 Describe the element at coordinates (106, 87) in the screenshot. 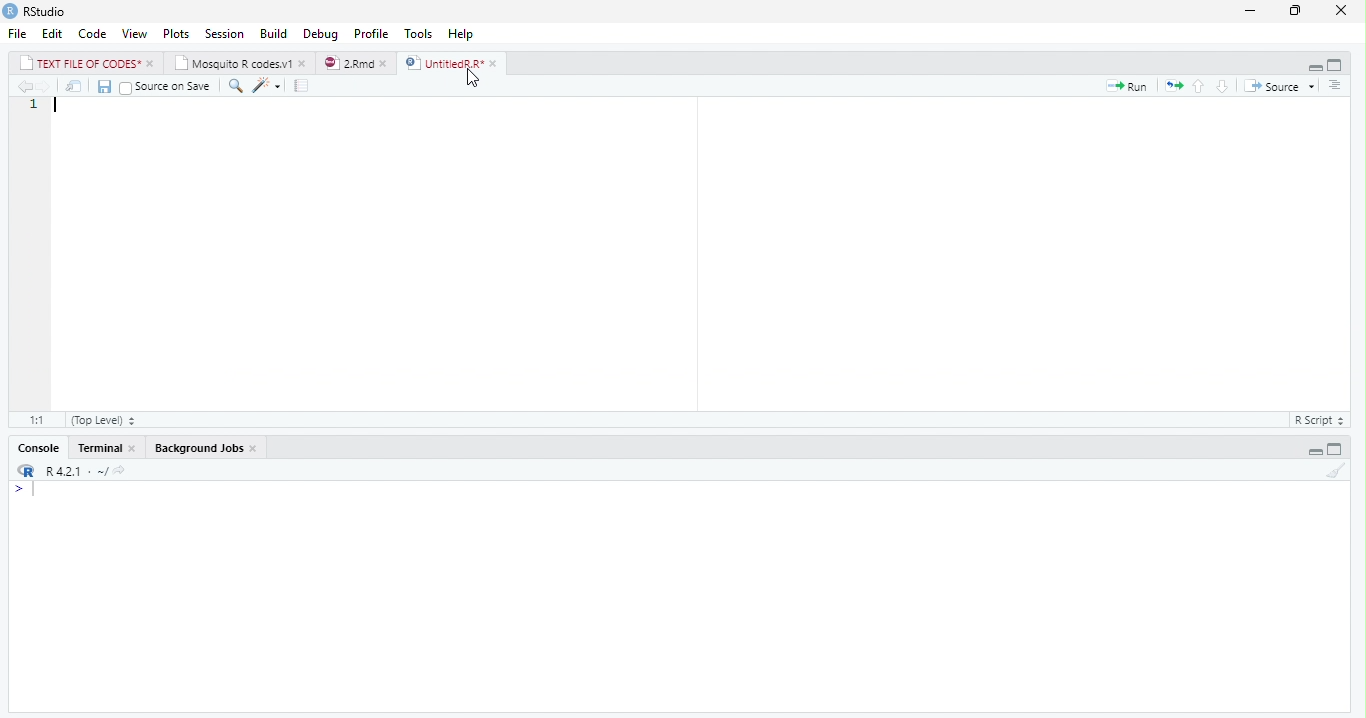

I see `save` at that location.